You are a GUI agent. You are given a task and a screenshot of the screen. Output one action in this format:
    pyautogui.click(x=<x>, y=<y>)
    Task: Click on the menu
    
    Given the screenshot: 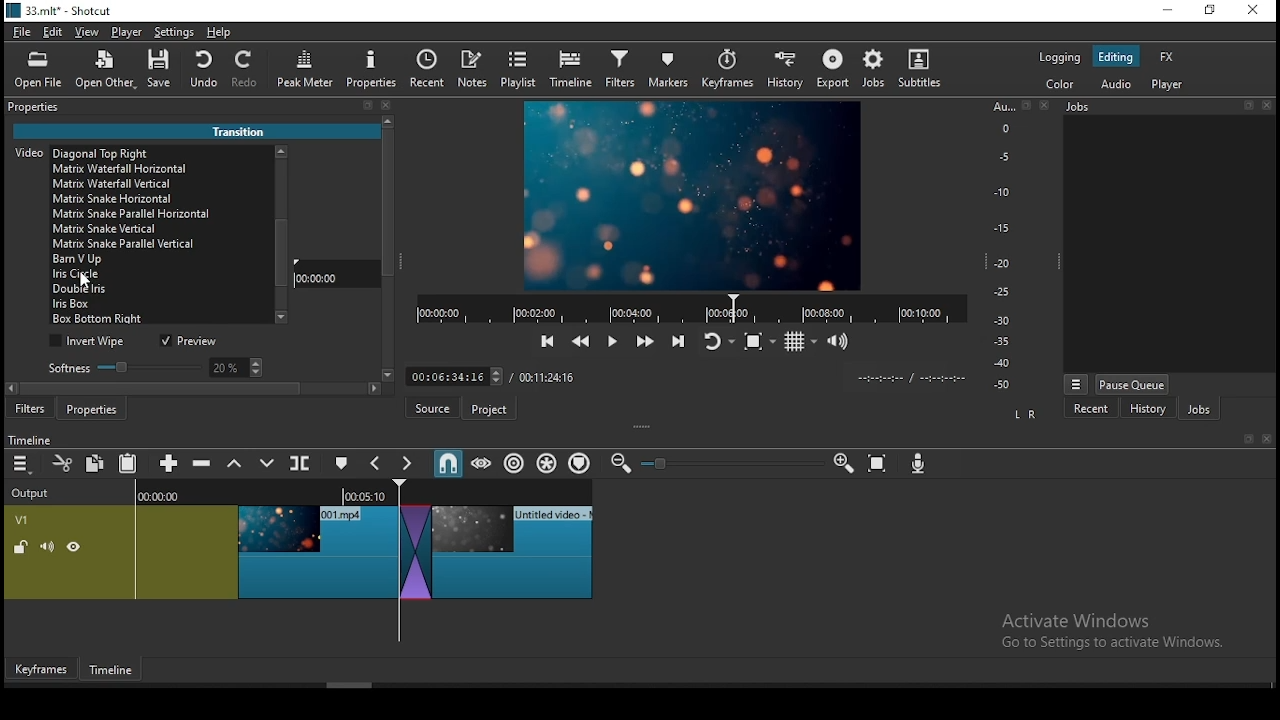 What is the action you would take?
    pyautogui.click(x=21, y=464)
    